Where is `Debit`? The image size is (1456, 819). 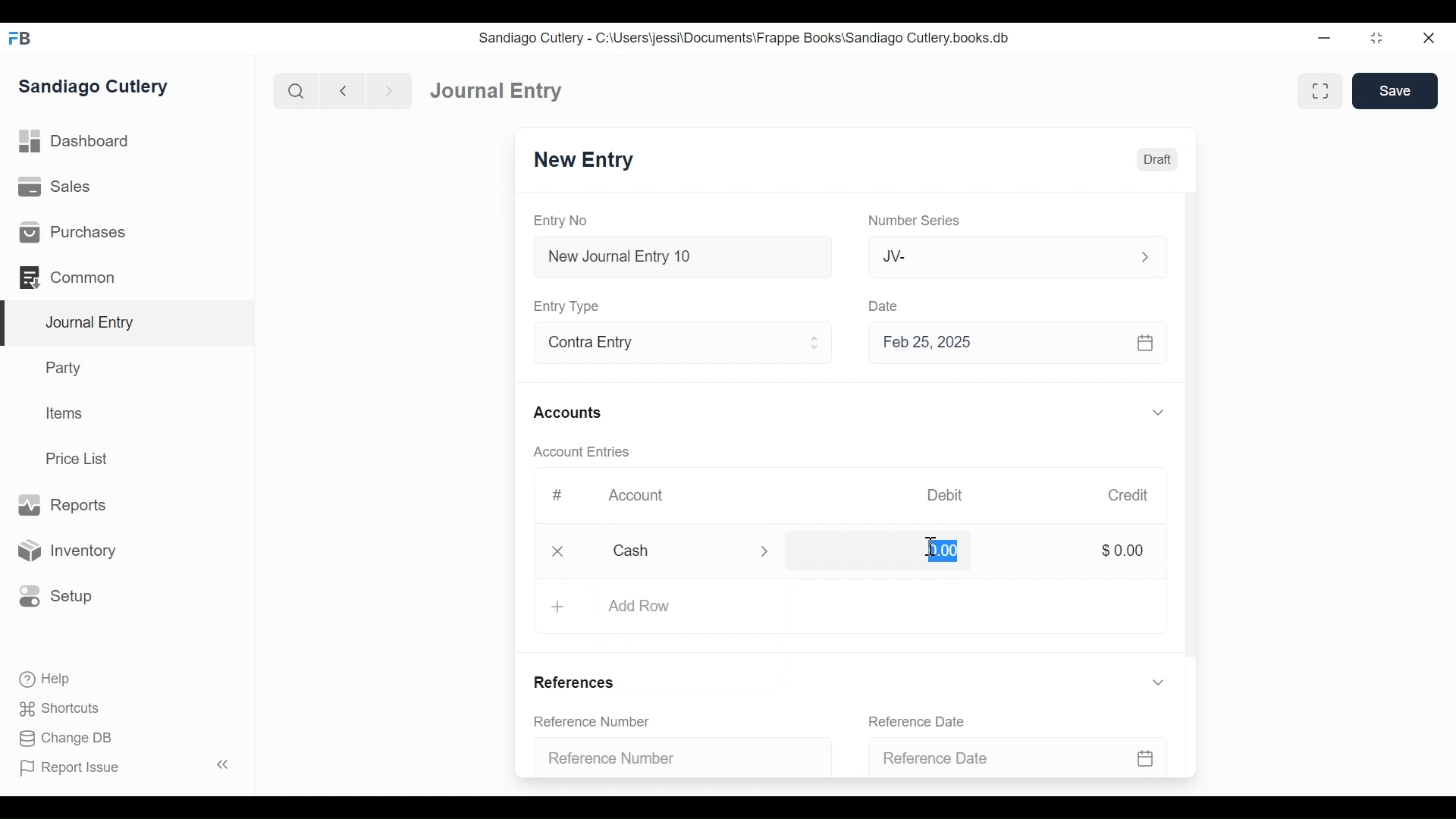
Debit is located at coordinates (951, 495).